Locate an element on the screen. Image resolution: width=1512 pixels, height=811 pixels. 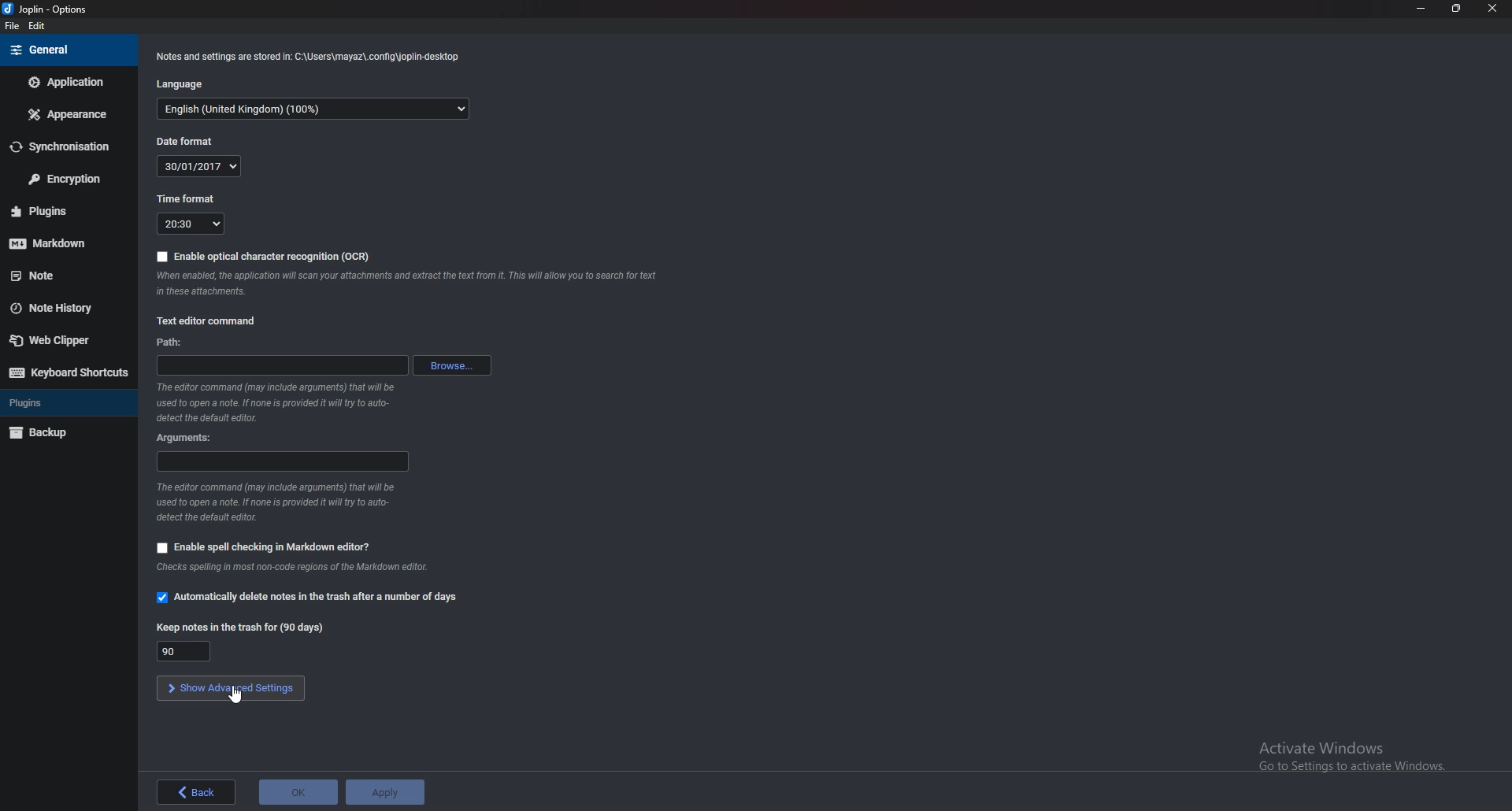
Encryption is located at coordinates (66, 178).